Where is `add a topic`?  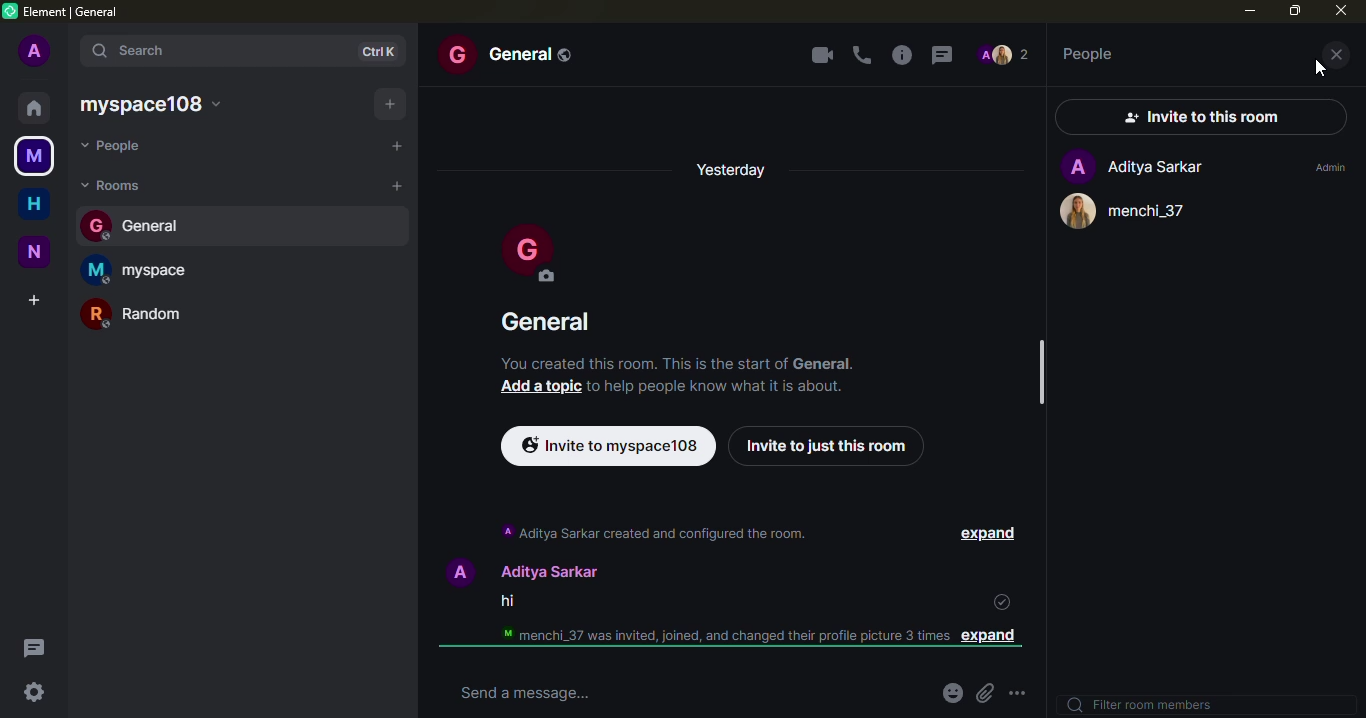
add a topic is located at coordinates (540, 386).